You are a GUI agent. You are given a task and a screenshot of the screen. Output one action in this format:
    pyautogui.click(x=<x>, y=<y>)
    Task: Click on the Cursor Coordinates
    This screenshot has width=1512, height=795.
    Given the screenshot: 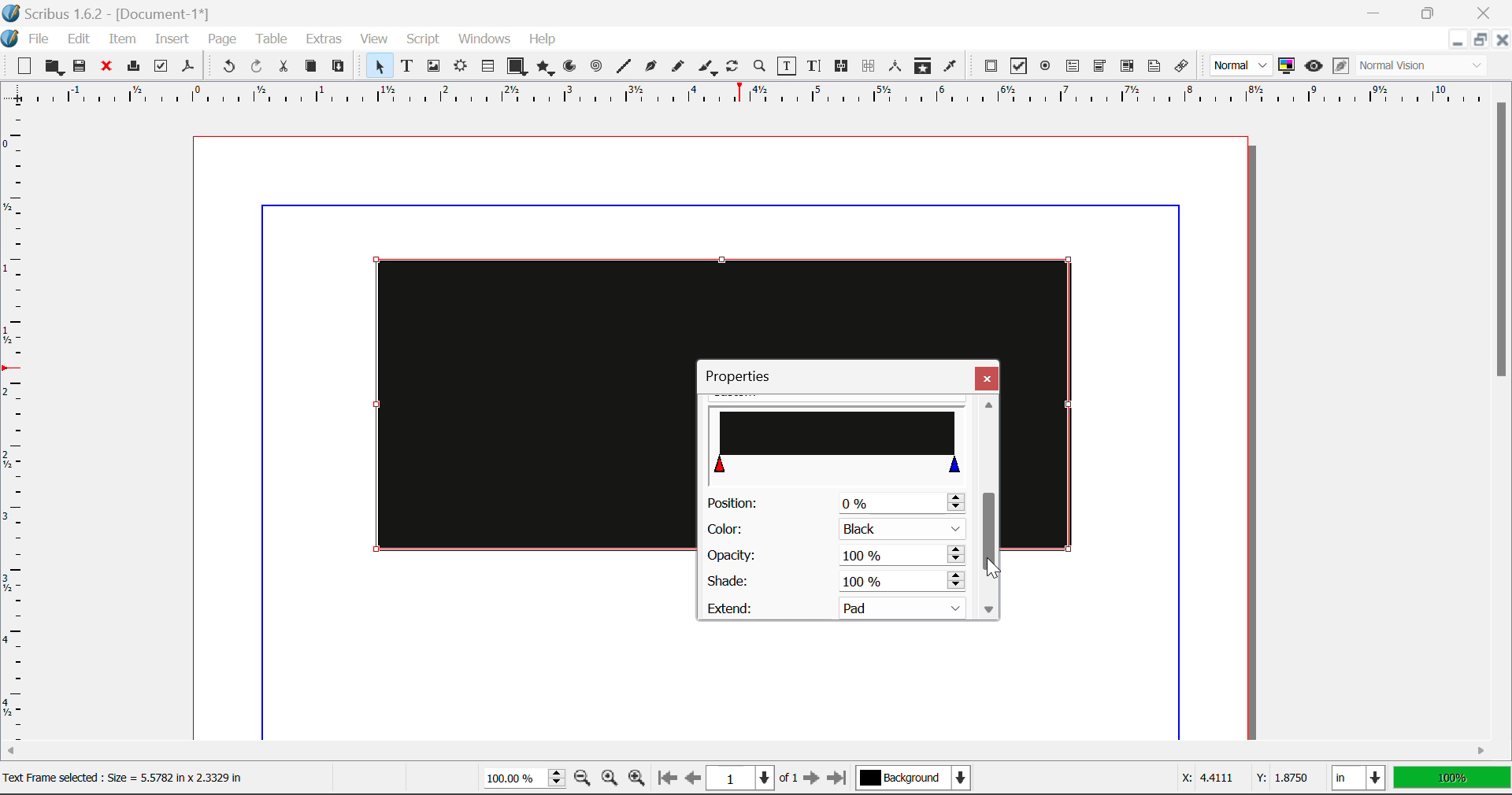 What is the action you would take?
    pyautogui.click(x=1241, y=778)
    